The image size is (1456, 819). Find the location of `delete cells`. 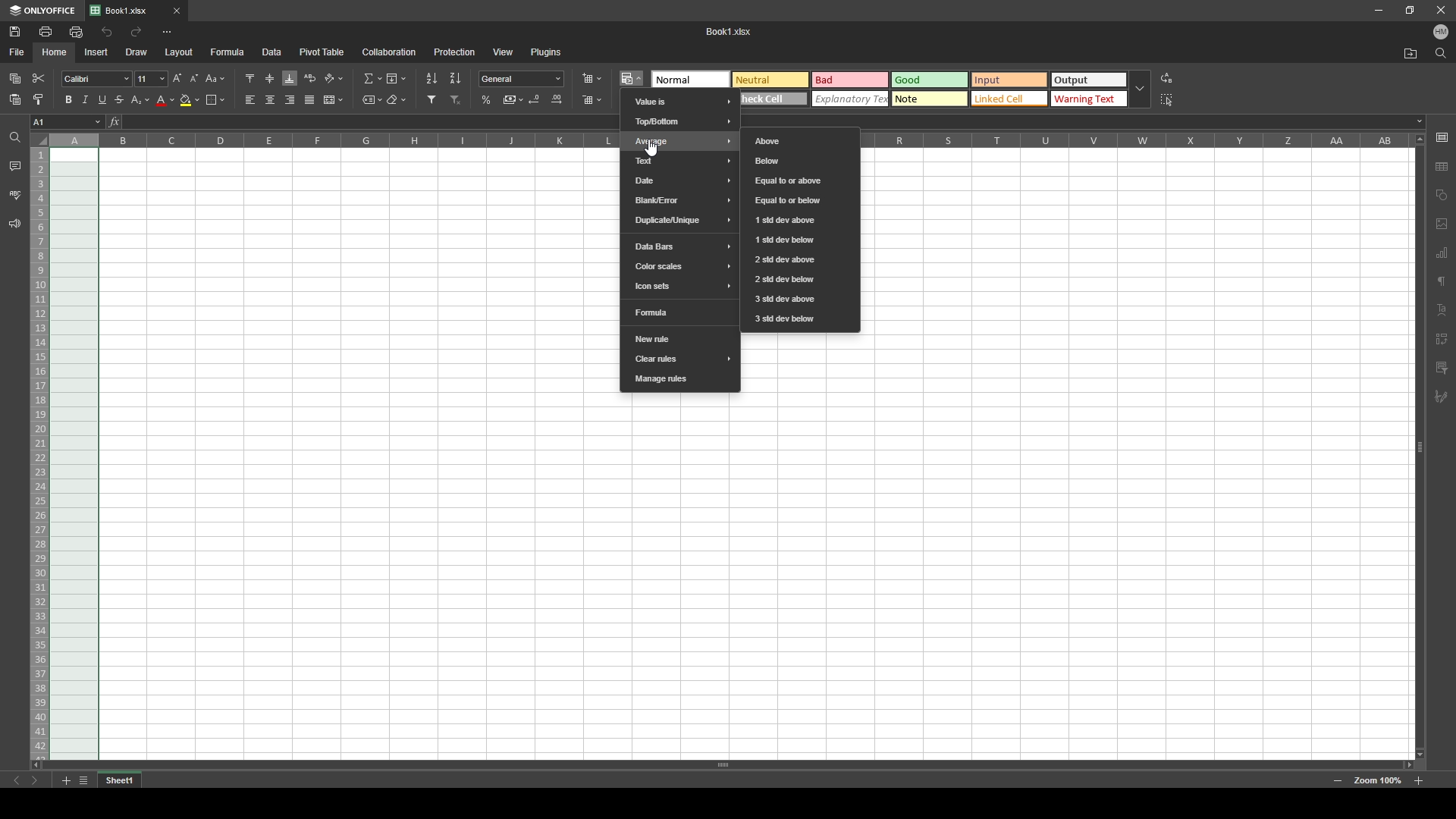

delete cells is located at coordinates (591, 100).